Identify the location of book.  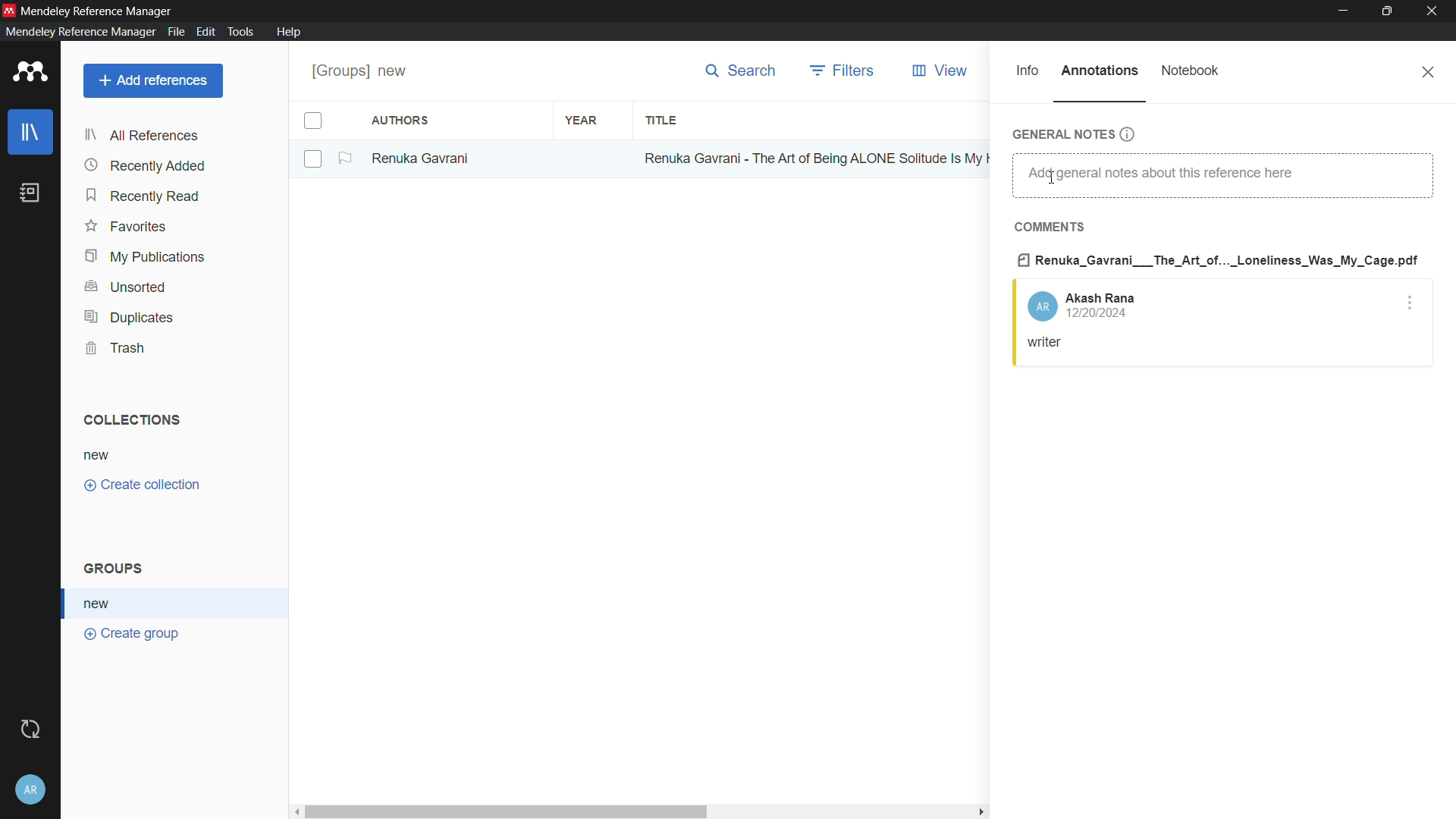
(30, 193).